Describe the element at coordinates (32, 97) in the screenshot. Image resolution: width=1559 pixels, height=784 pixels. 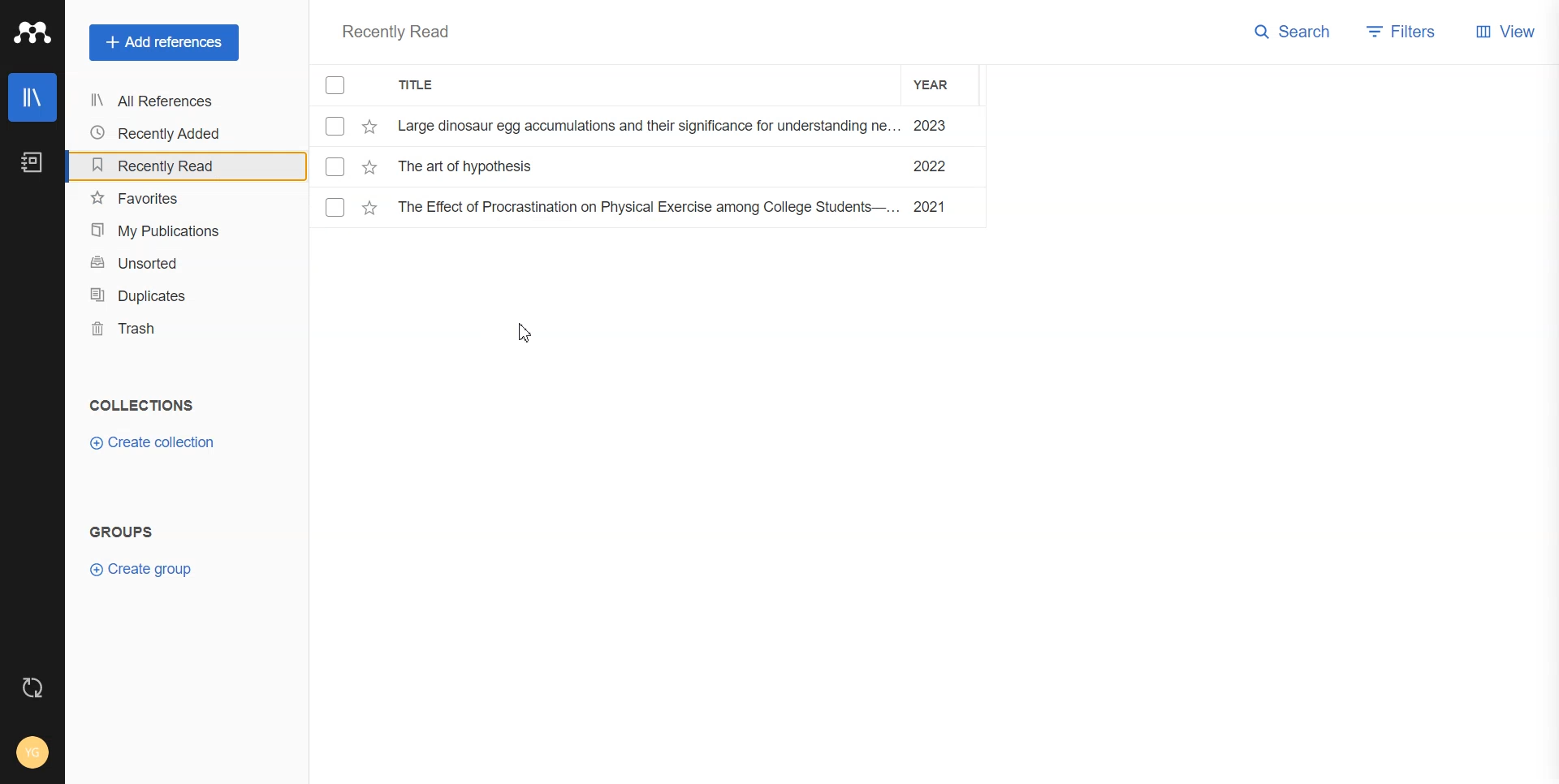
I see `Library` at that location.